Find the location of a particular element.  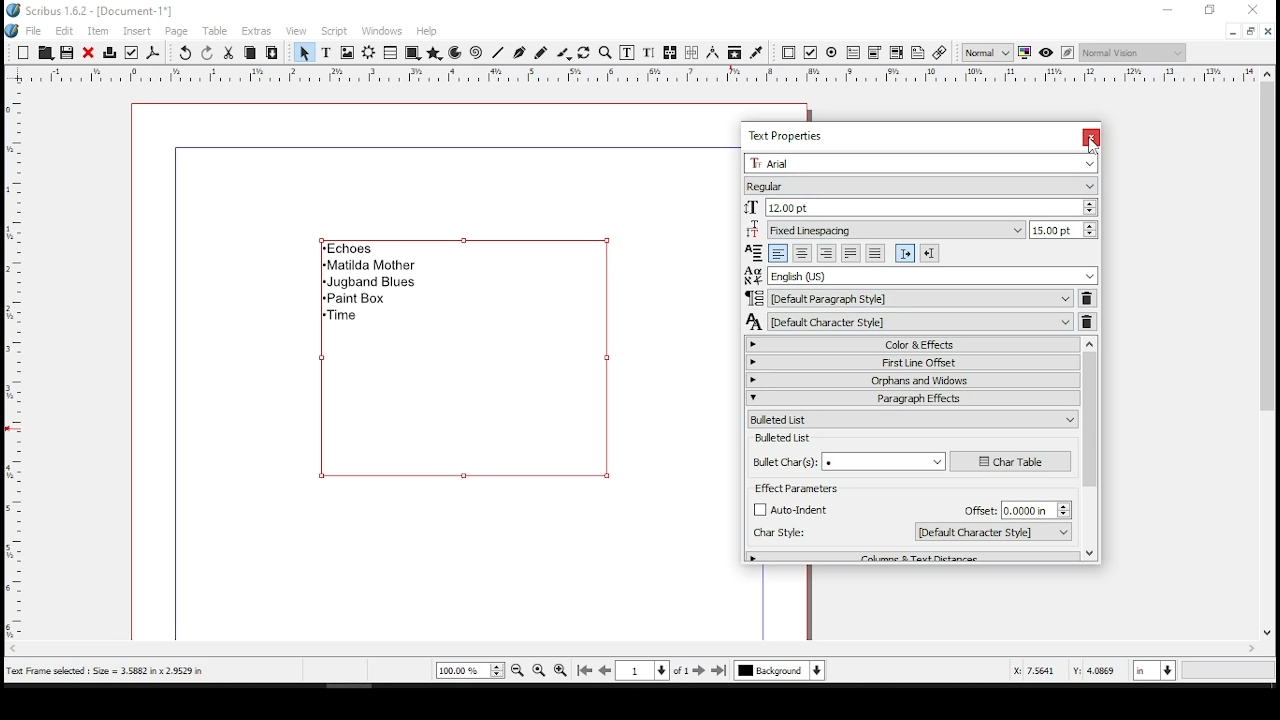

spiral is located at coordinates (475, 54).